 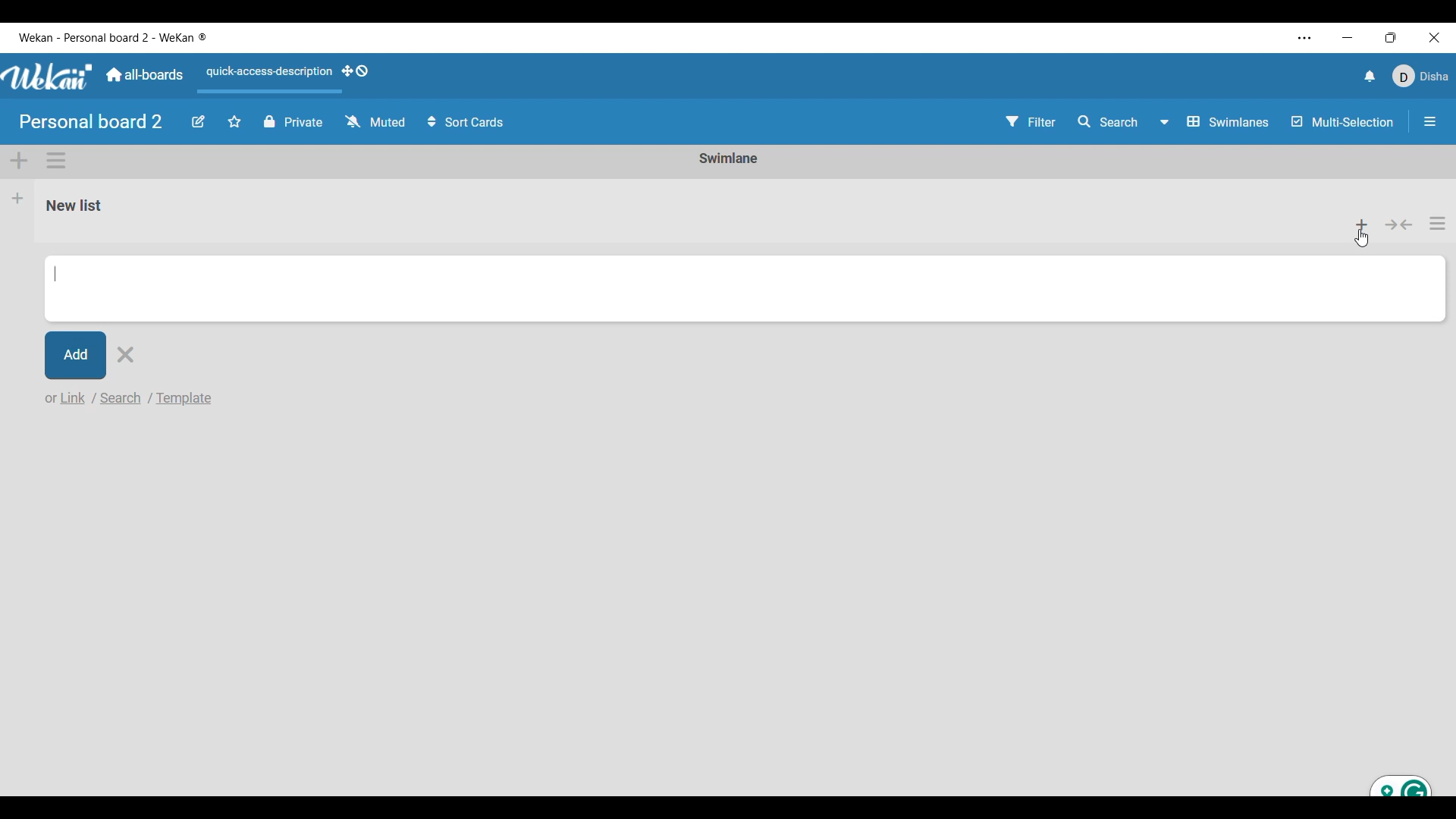 I want to click on Software and board name, so click(x=112, y=38).